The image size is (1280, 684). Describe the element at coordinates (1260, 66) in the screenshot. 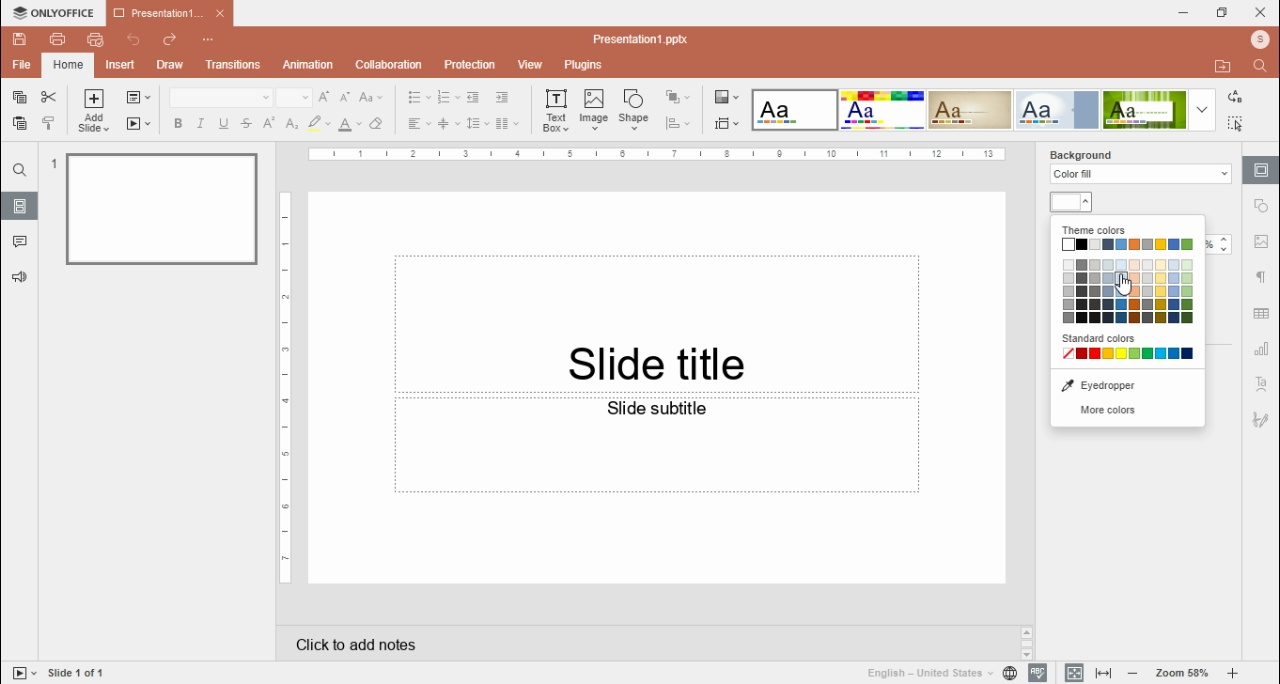

I see `find` at that location.